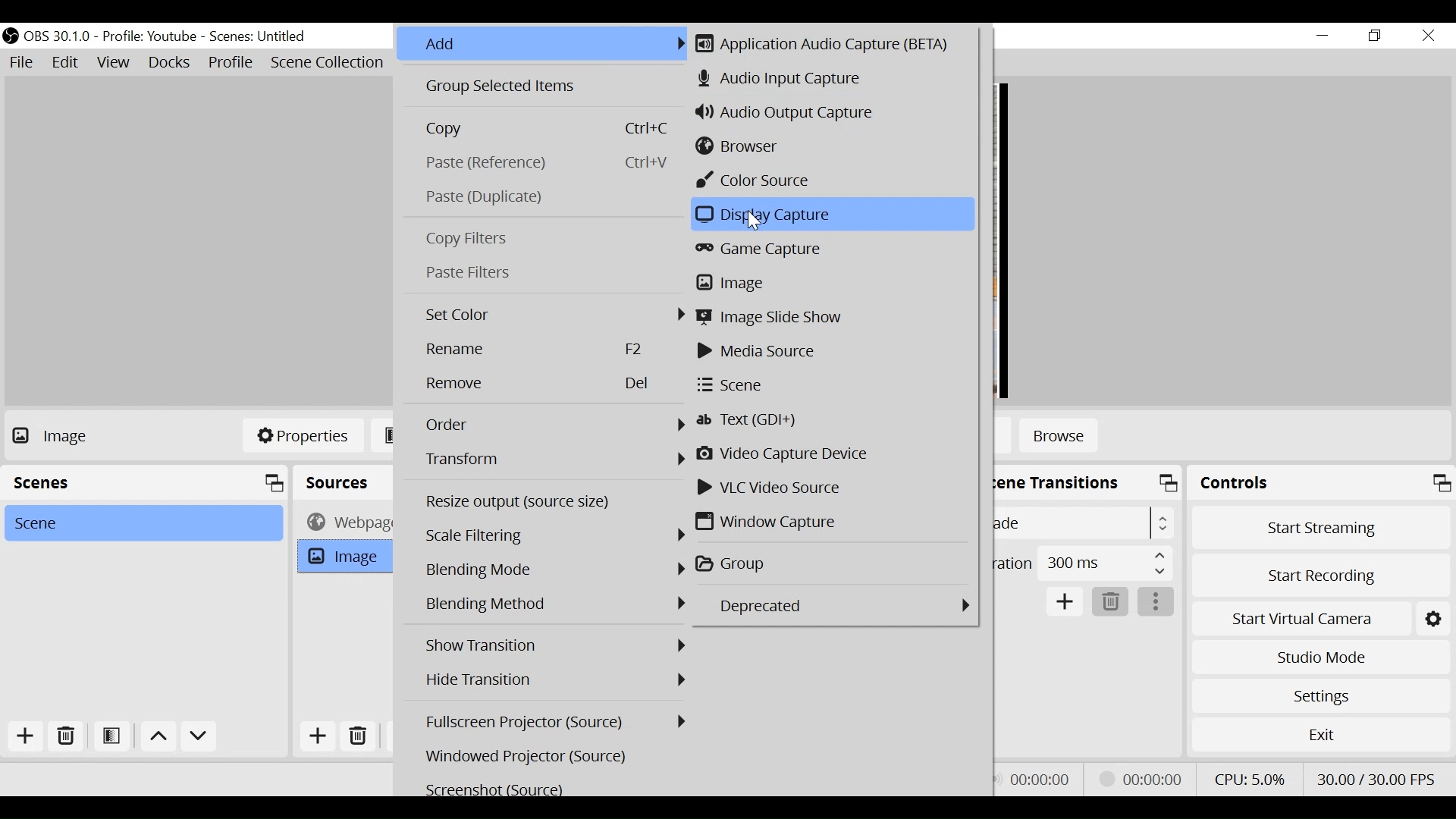 This screenshot has height=819, width=1456. What do you see at coordinates (110, 737) in the screenshot?
I see `Open Scene Filter` at bounding box center [110, 737].